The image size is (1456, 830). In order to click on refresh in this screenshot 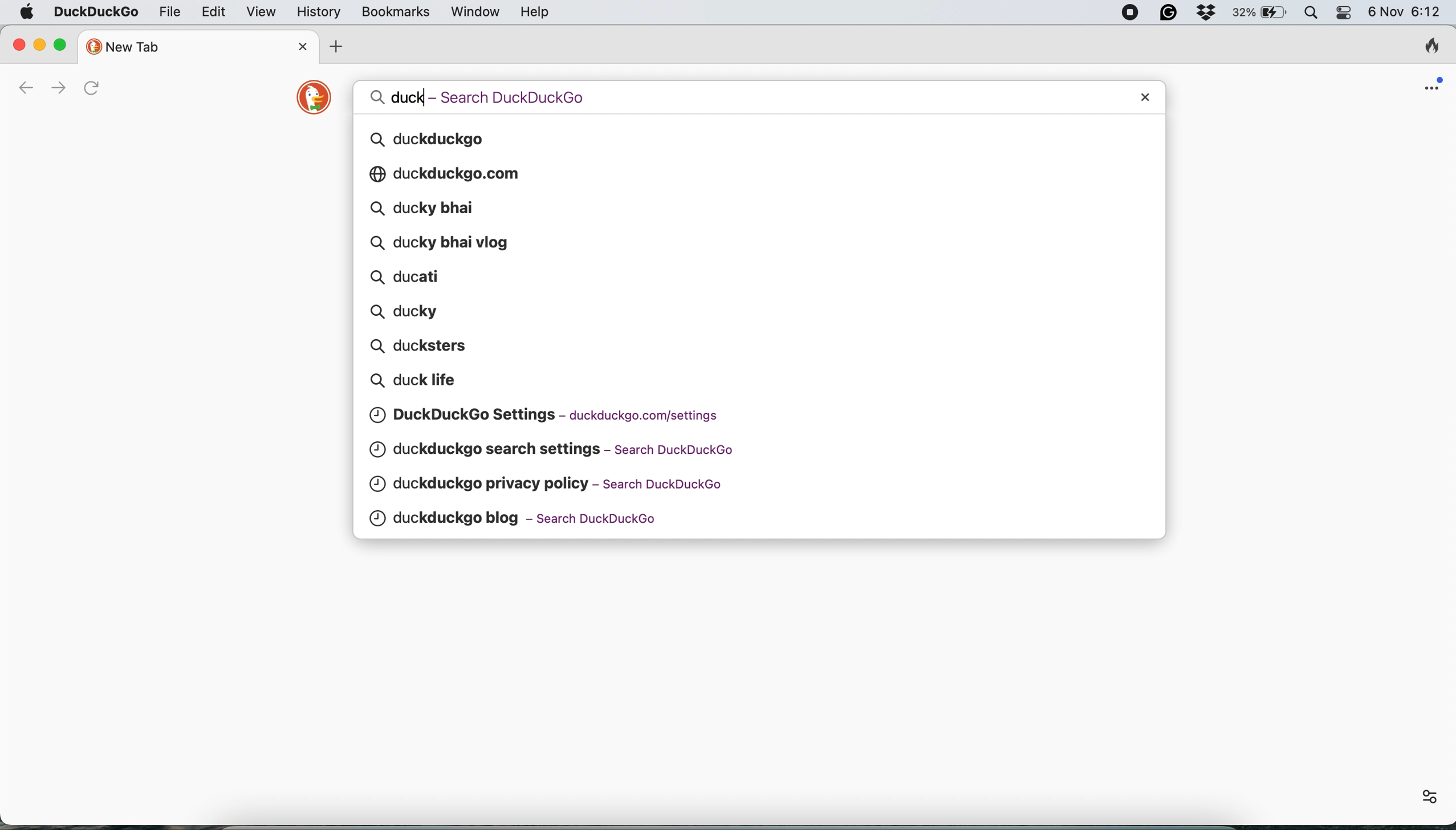, I will do `click(96, 88)`.